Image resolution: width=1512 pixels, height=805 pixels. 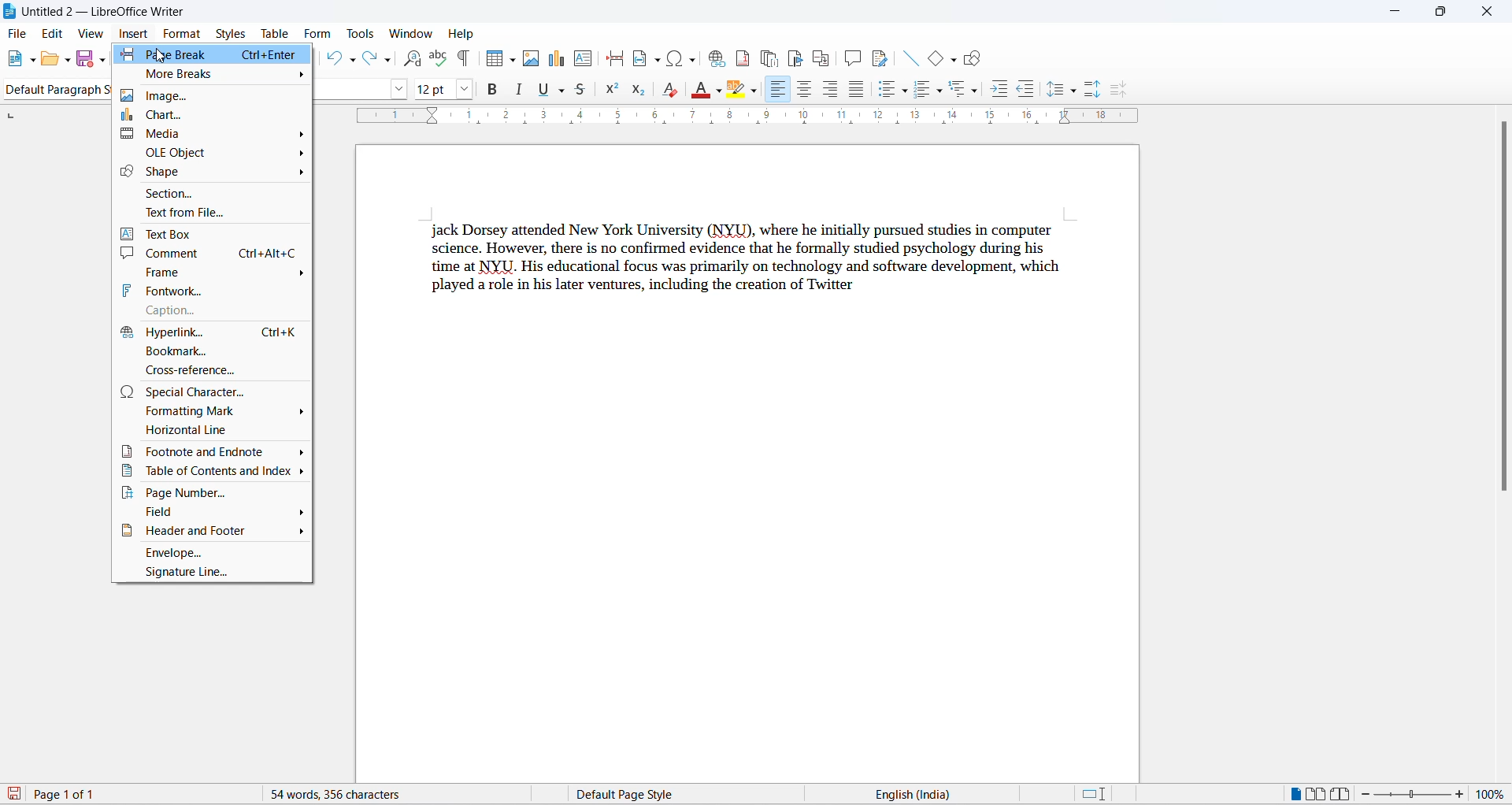 What do you see at coordinates (216, 270) in the screenshot?
I see `frame` at bounding box center [216, 270].